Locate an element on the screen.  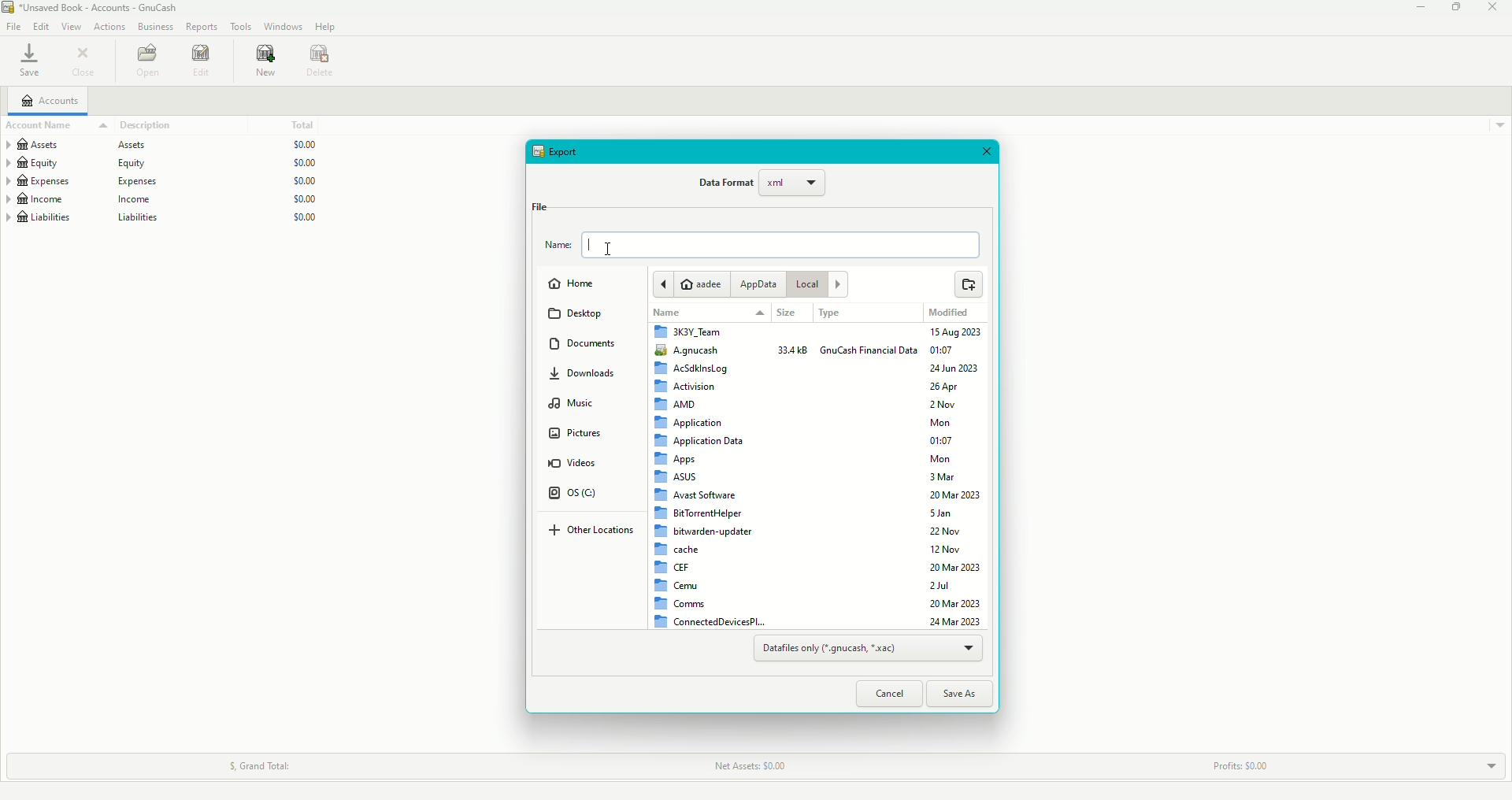
Account Name is located at coordinates (39, 126).